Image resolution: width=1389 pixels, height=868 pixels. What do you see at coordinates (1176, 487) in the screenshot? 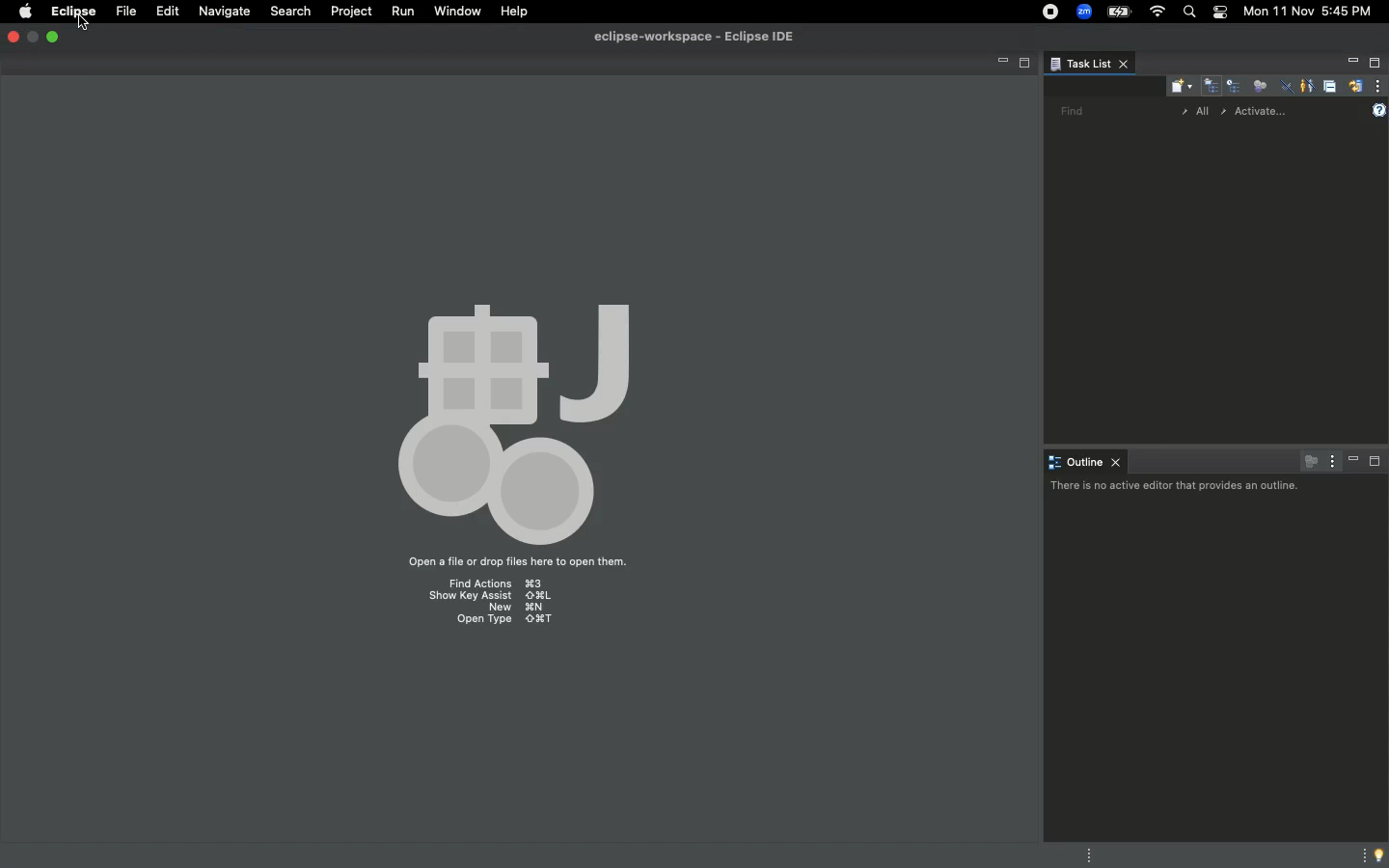
I see `There is no active editor the provides an outline` at bounding box center [1176, 487].